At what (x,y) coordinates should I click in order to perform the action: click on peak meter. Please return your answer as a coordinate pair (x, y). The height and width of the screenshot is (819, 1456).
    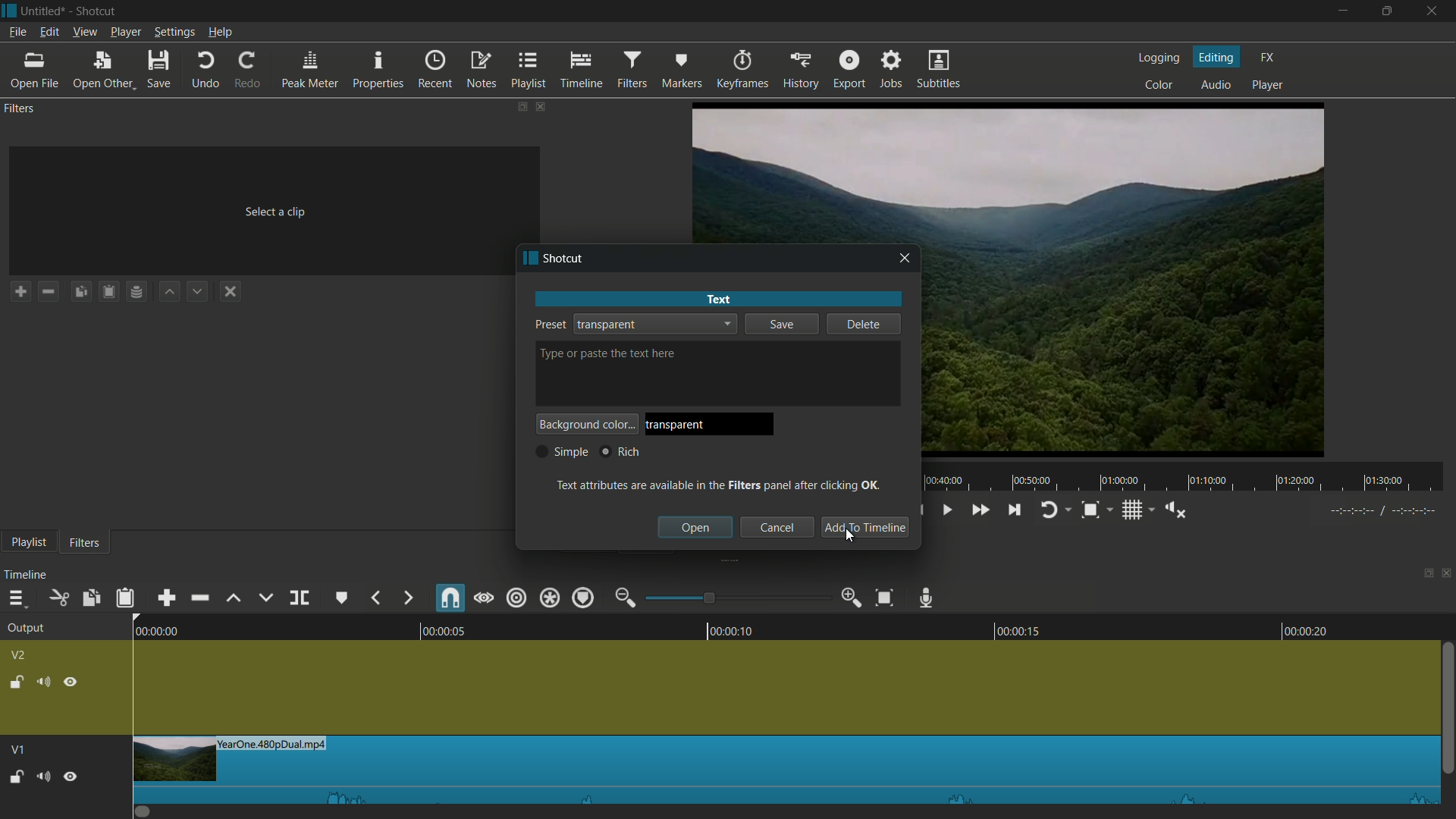
    Looking at the image, I should click on (310, 71).